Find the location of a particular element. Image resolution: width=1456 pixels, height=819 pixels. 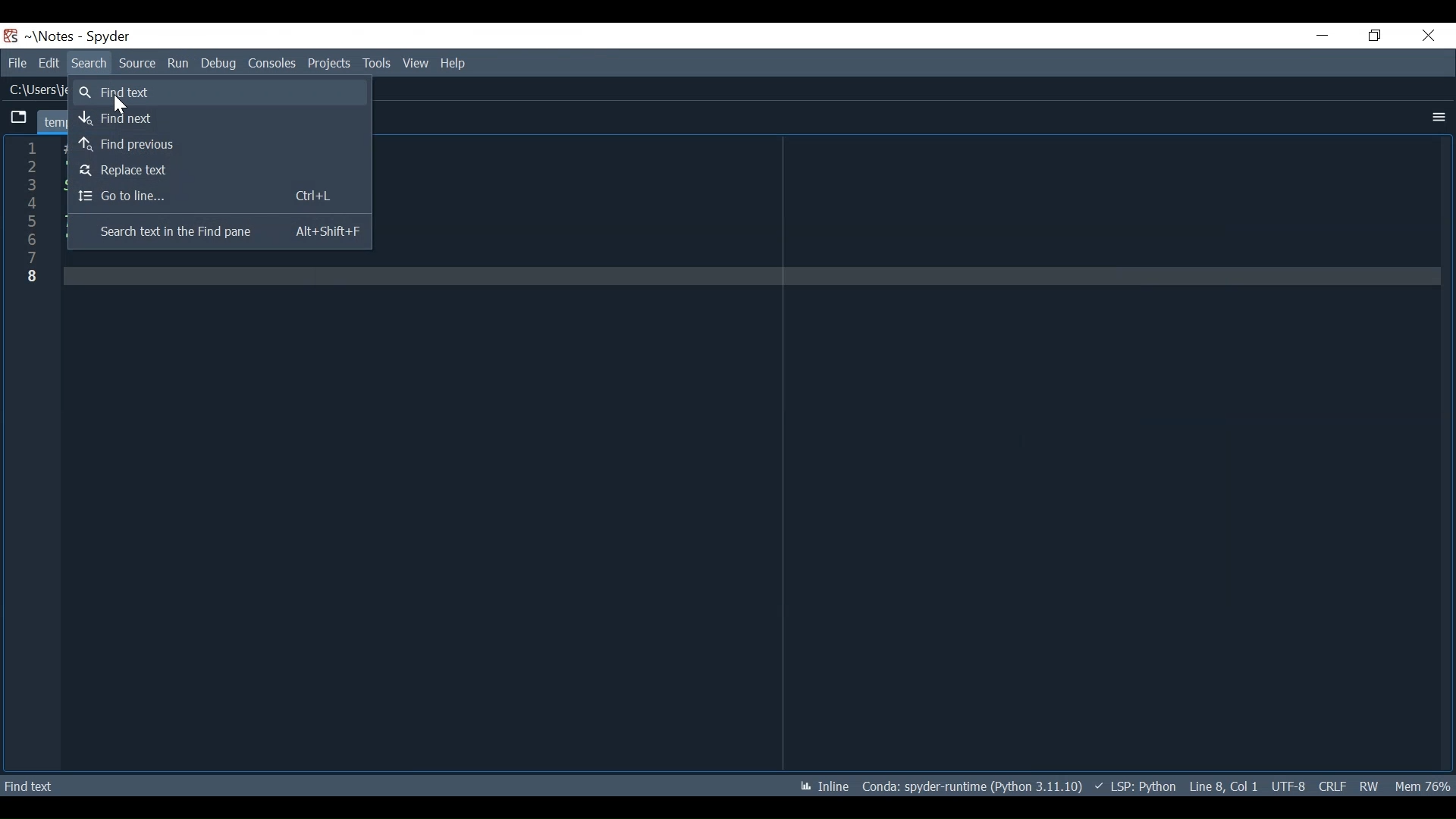

Close is located at coordinates (1430, 35).